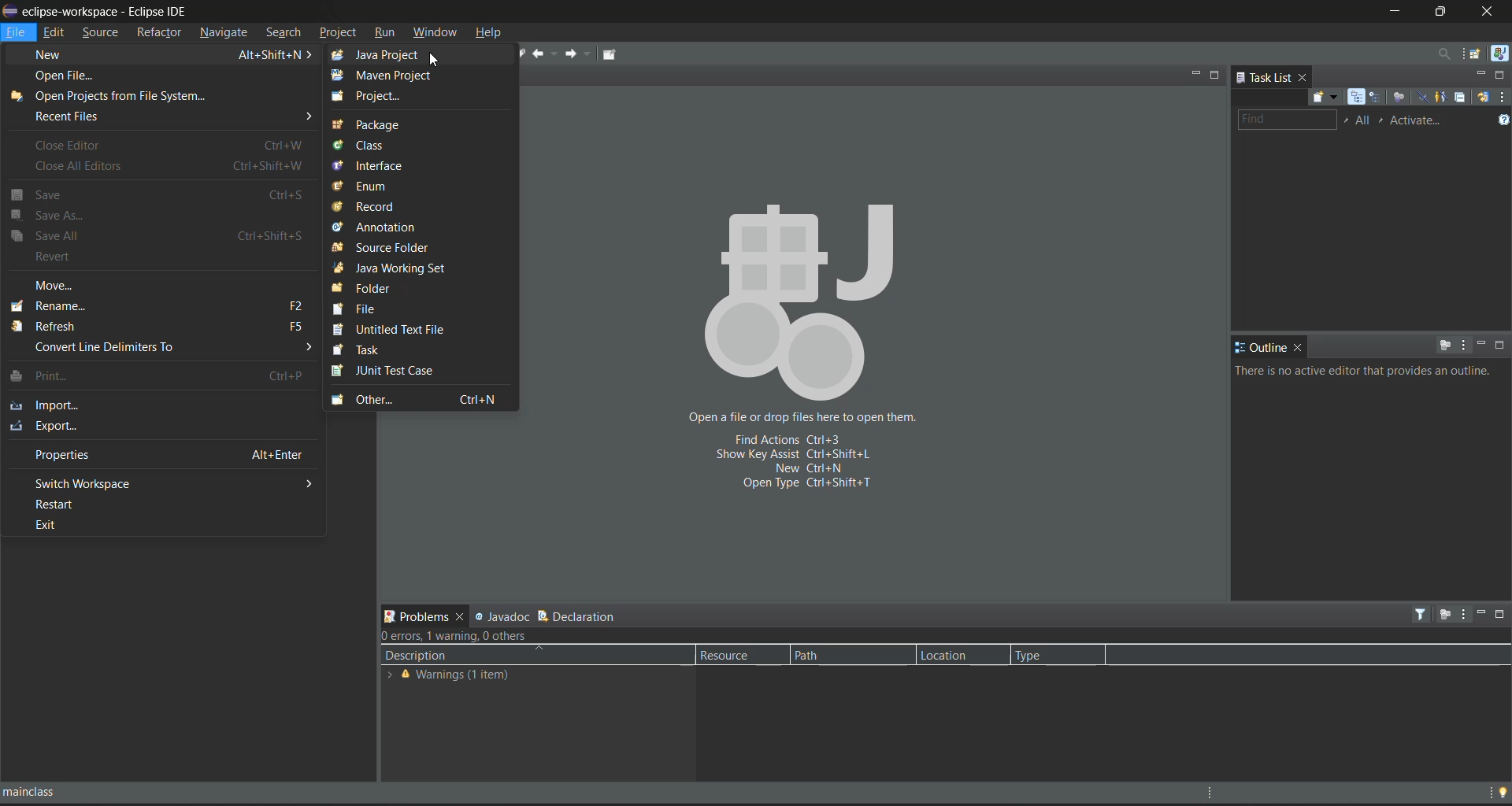  Describe the element at coordinates (160, 236) in the screenshot. I see `save all` at that location.